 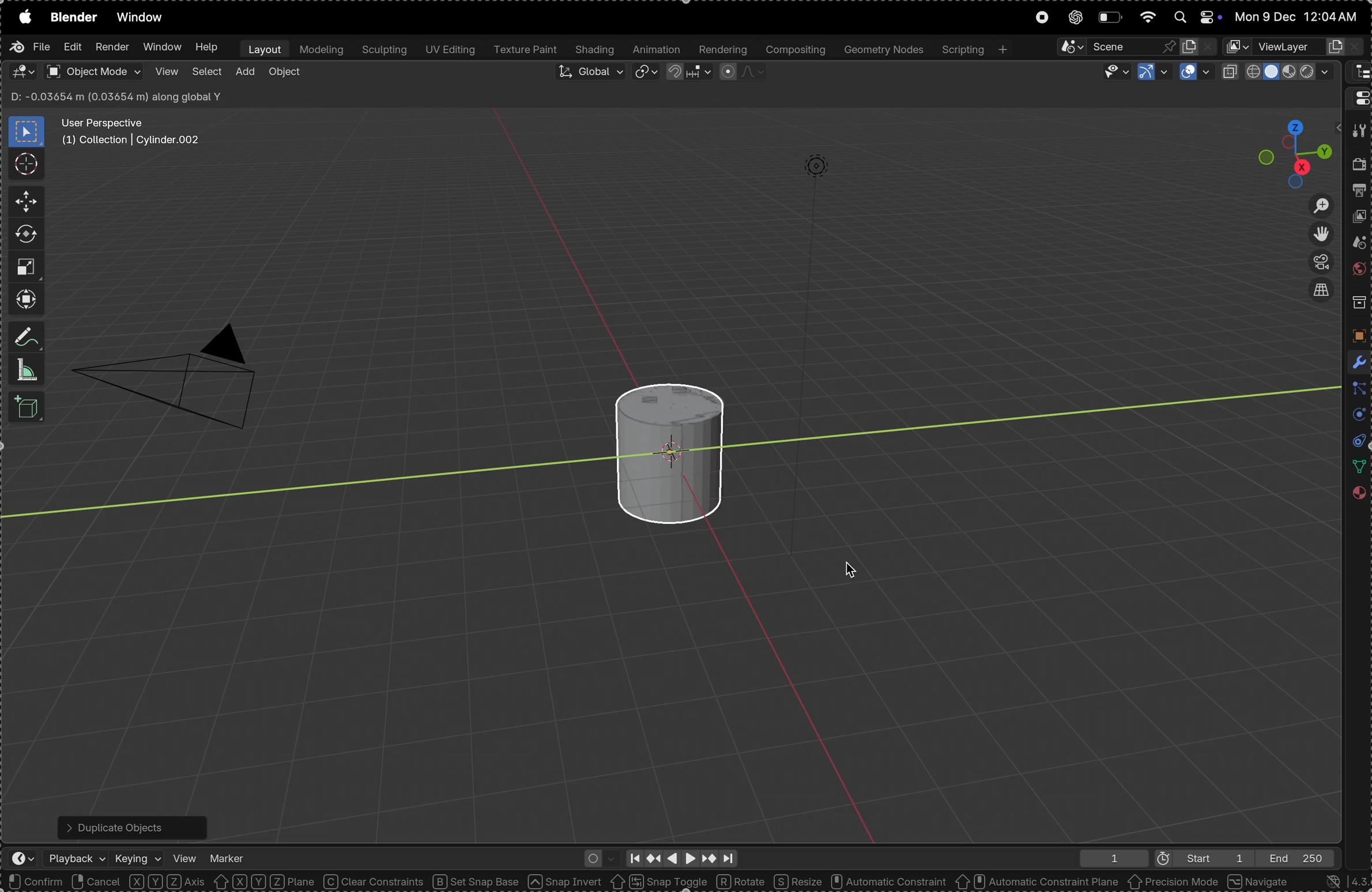 I want to click on Global, so click(x=589, y=74).